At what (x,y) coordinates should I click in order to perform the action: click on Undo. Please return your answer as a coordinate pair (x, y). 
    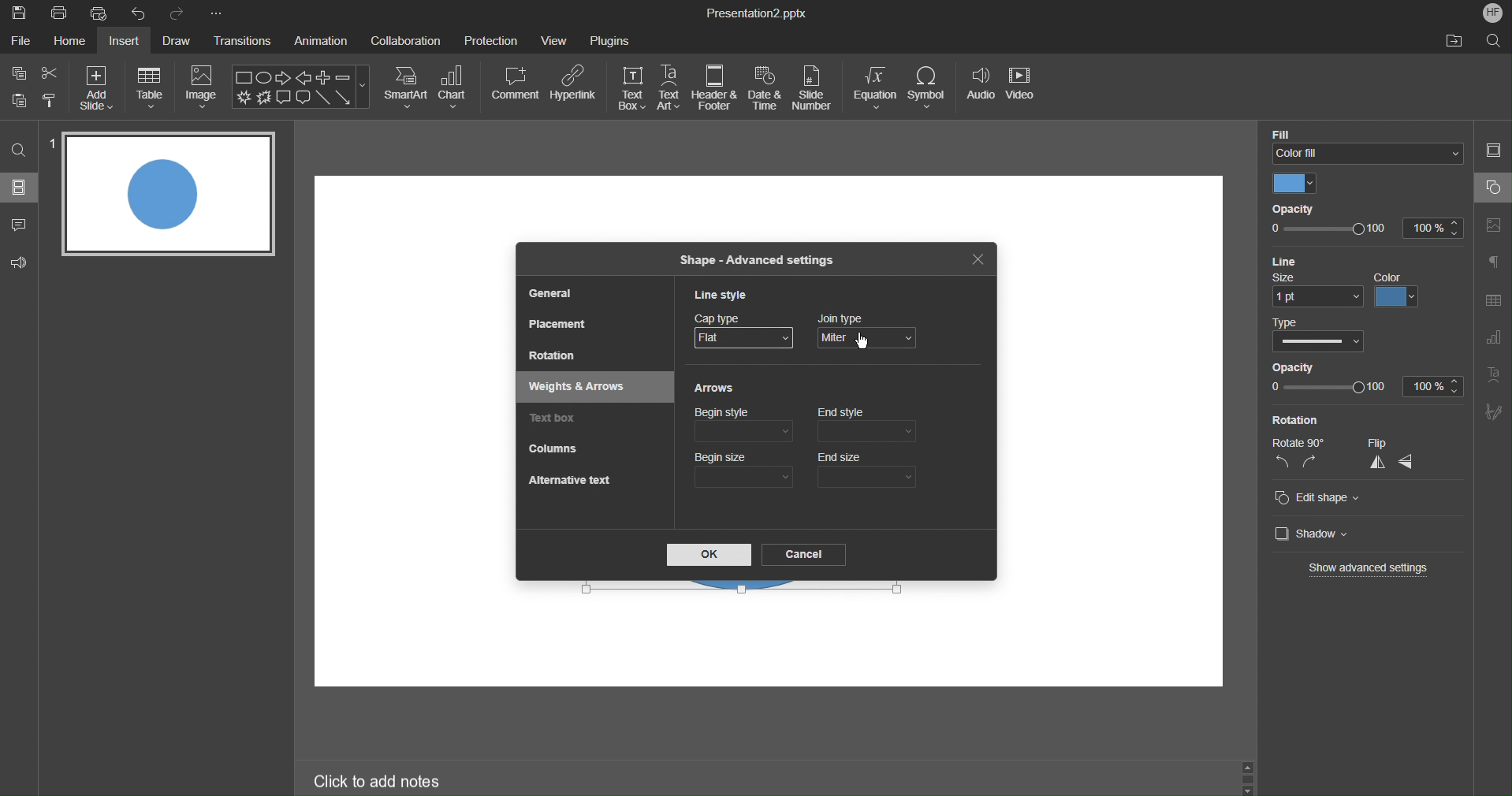
    Looking at the image, I should click on (142, 13).